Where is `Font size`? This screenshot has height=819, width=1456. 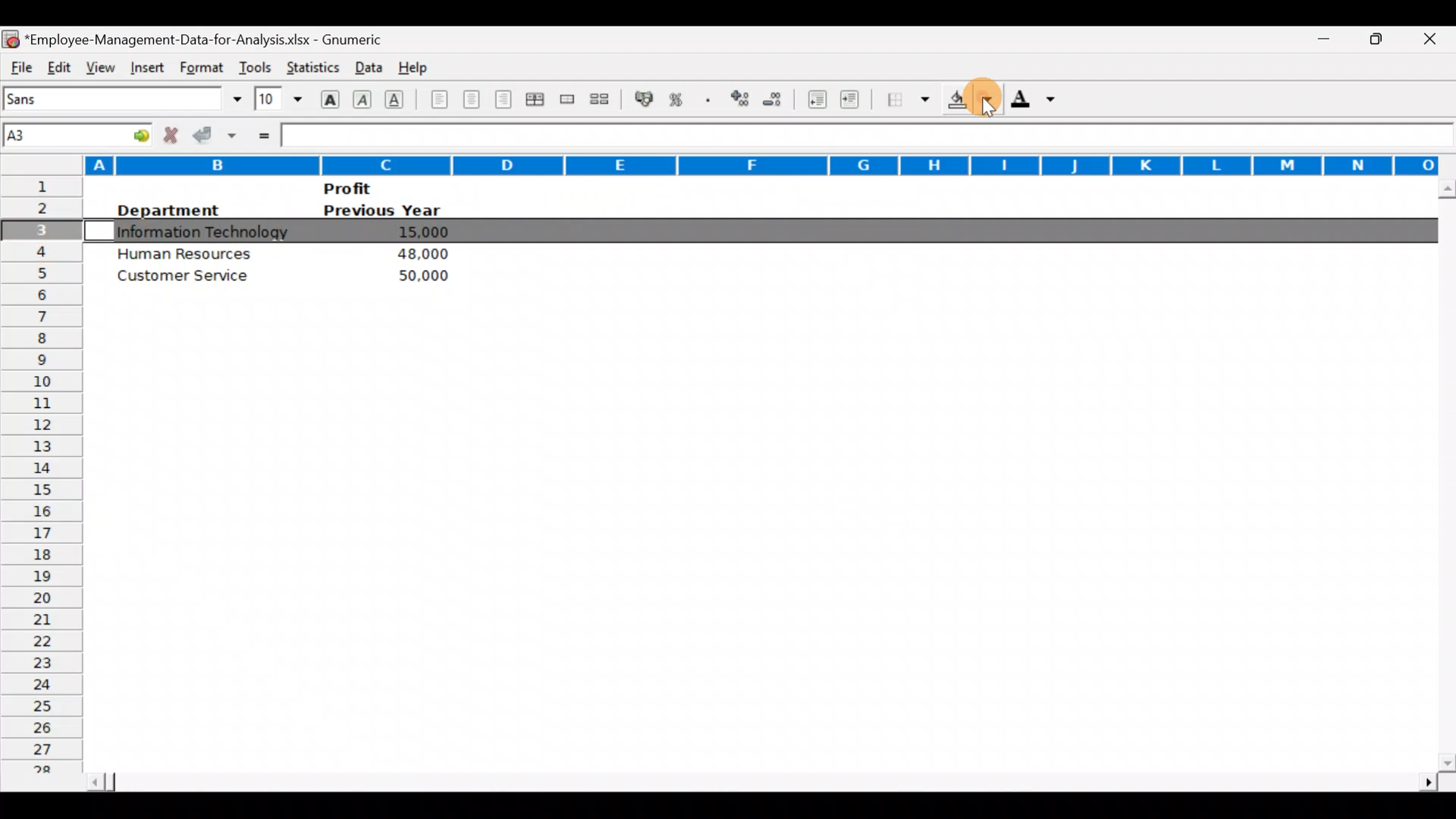
Font size is located at coordinates (278, 99).